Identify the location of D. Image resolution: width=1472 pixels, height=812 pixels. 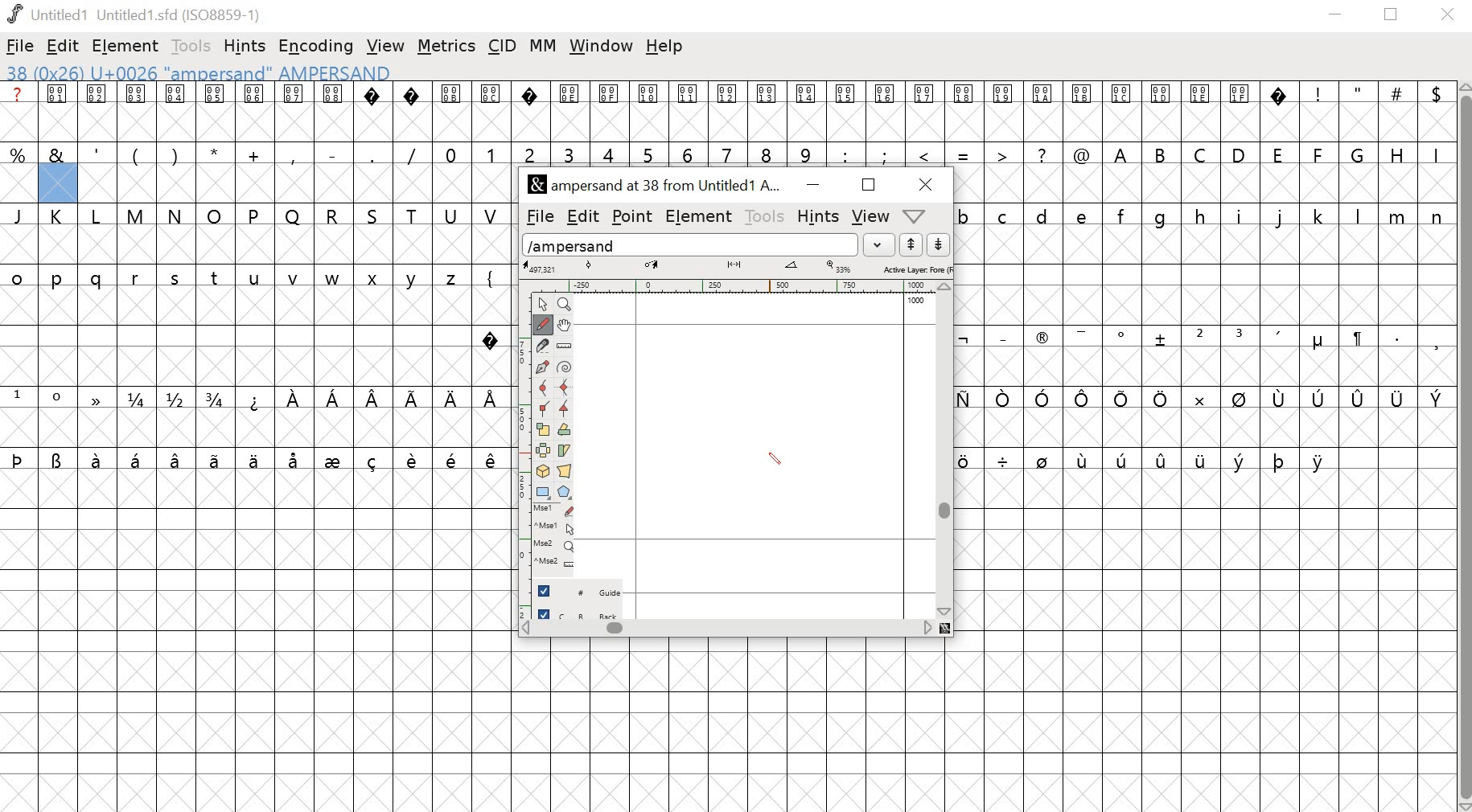
(1240, 154).